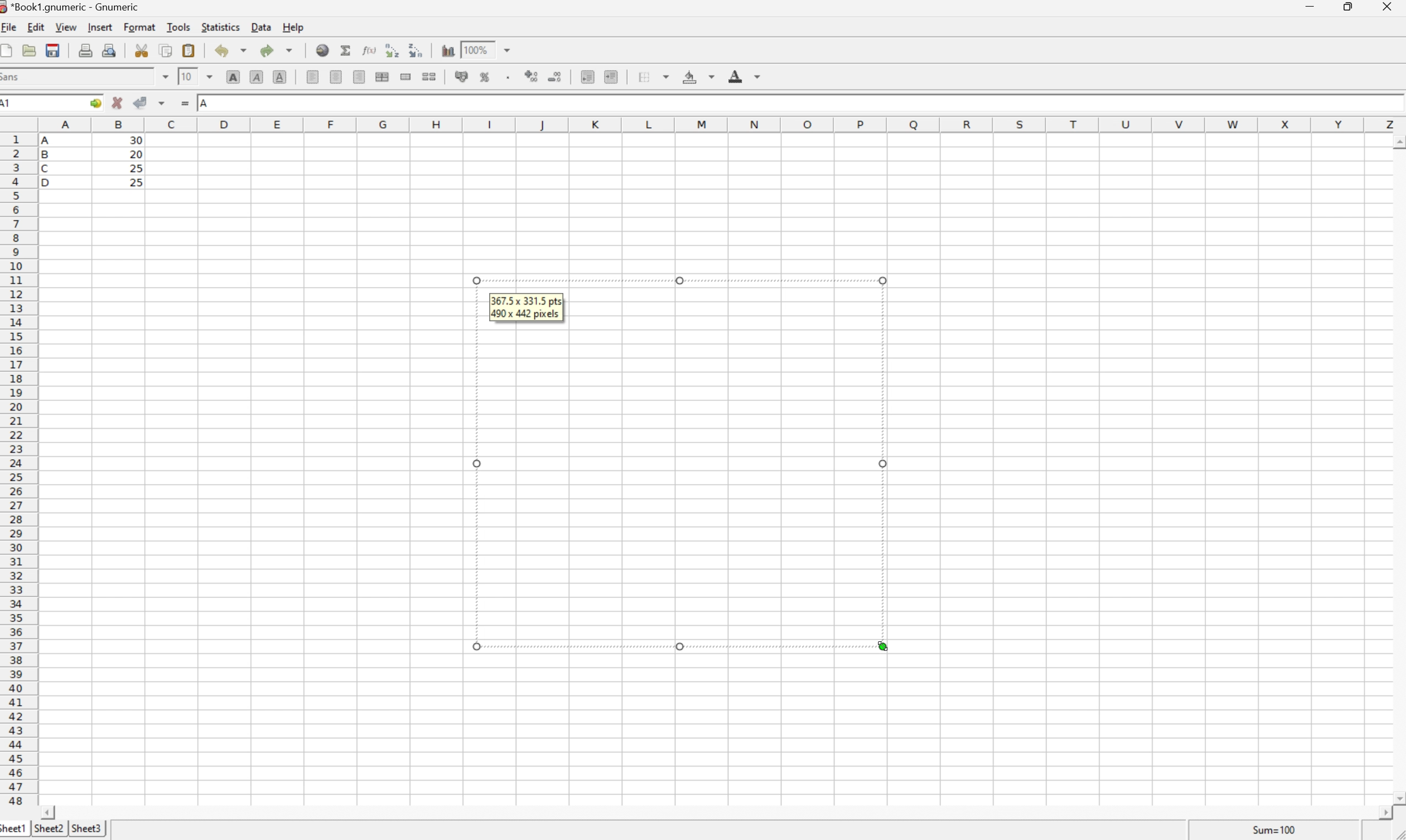 This screenshot has width=1406, height=840. I want to click on , so click(886, 466).